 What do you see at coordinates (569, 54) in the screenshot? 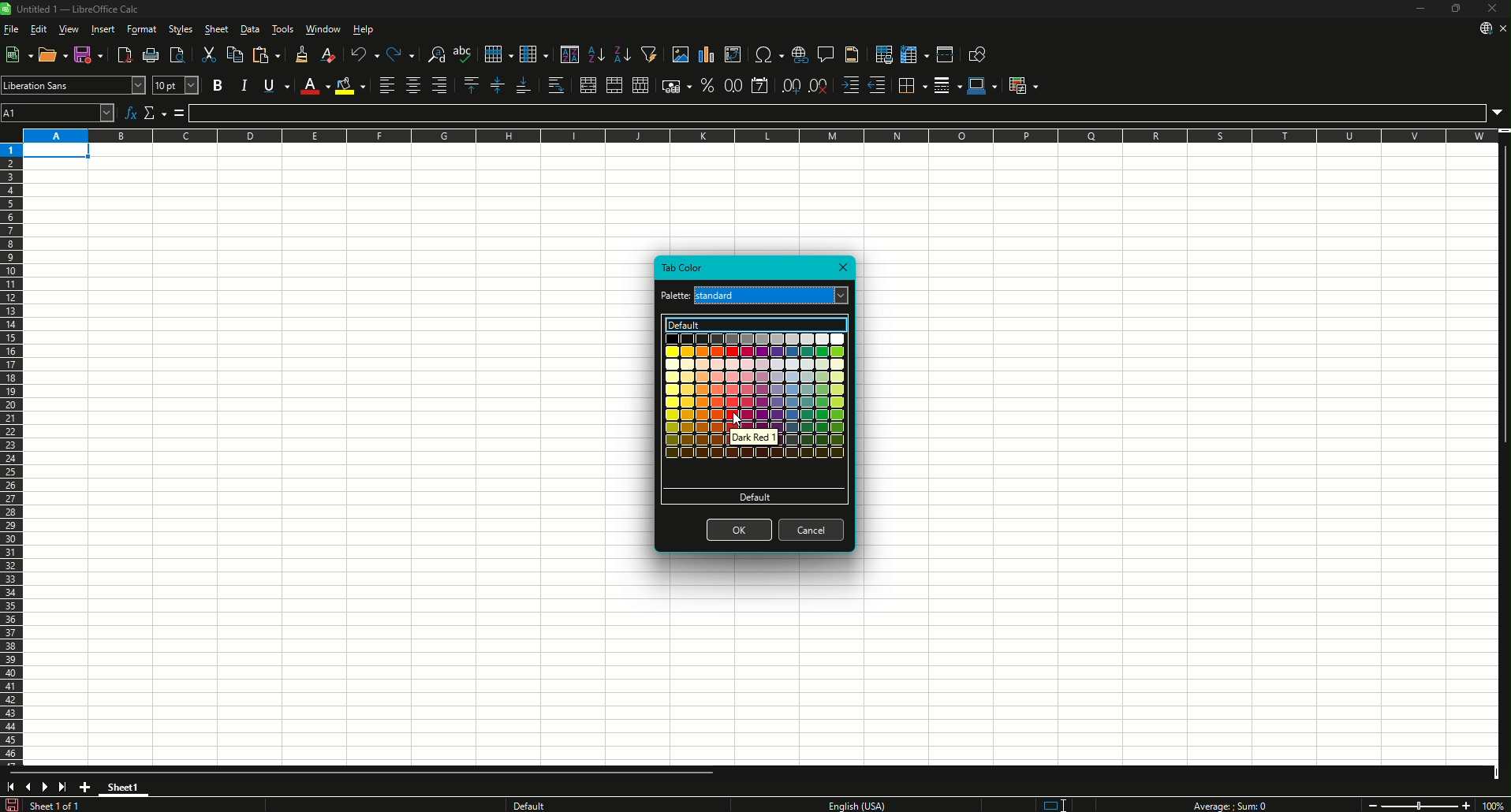
I see `Sort` at bounding box center [569, 54].